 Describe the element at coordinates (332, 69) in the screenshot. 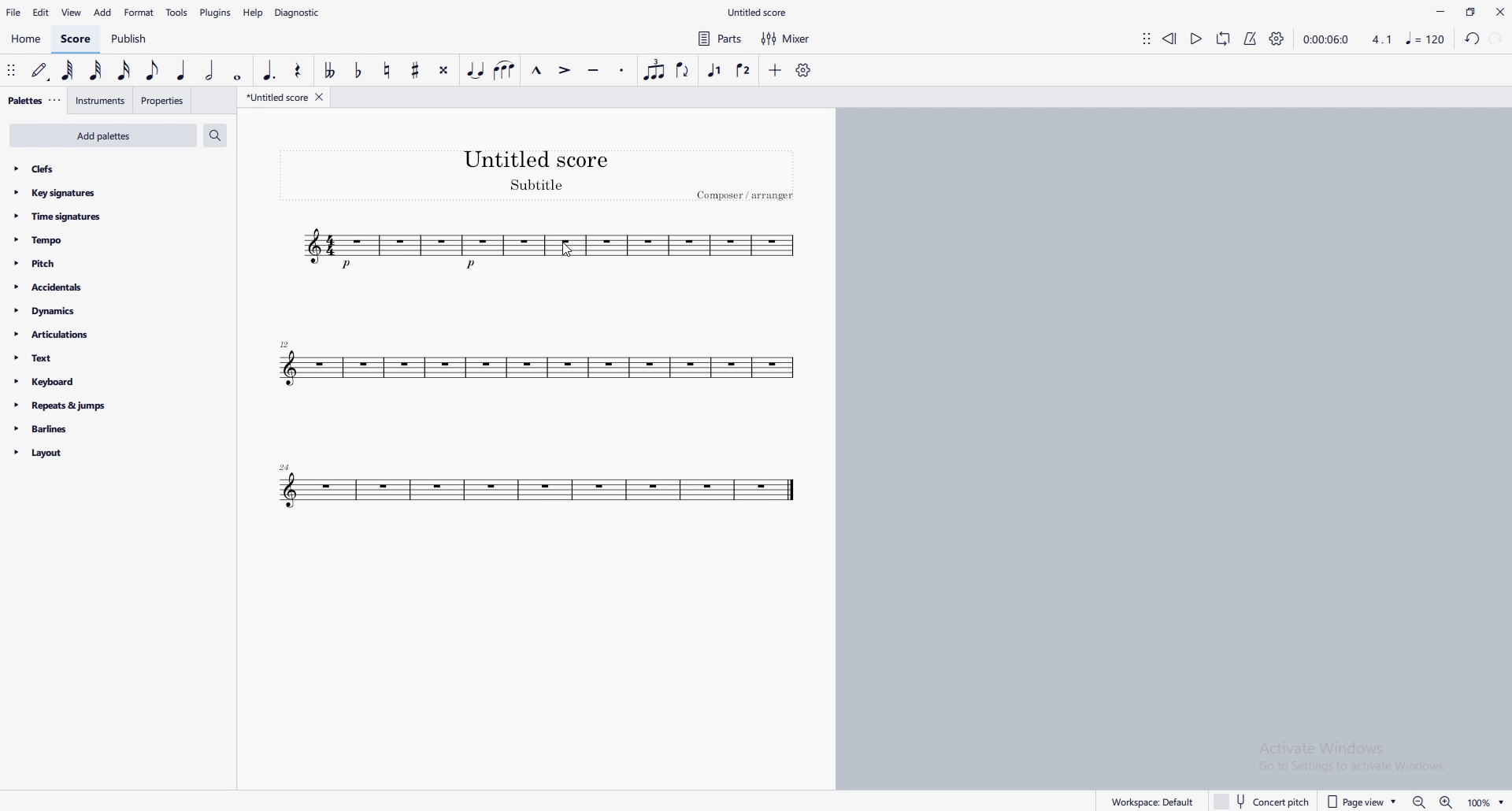

I see `toggle double flat` at that location.